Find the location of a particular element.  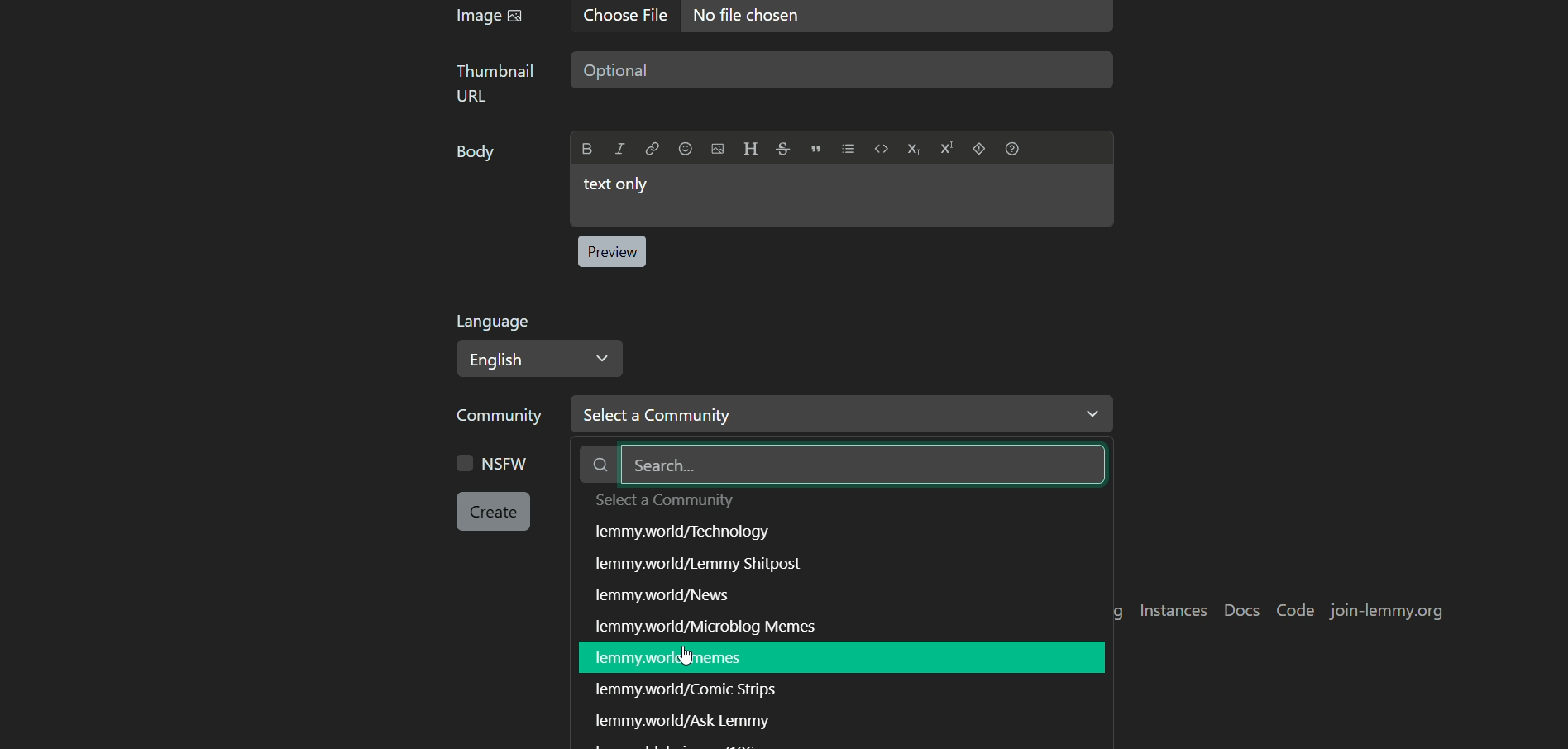

Strikethrough is located at coordinates (784, 149).